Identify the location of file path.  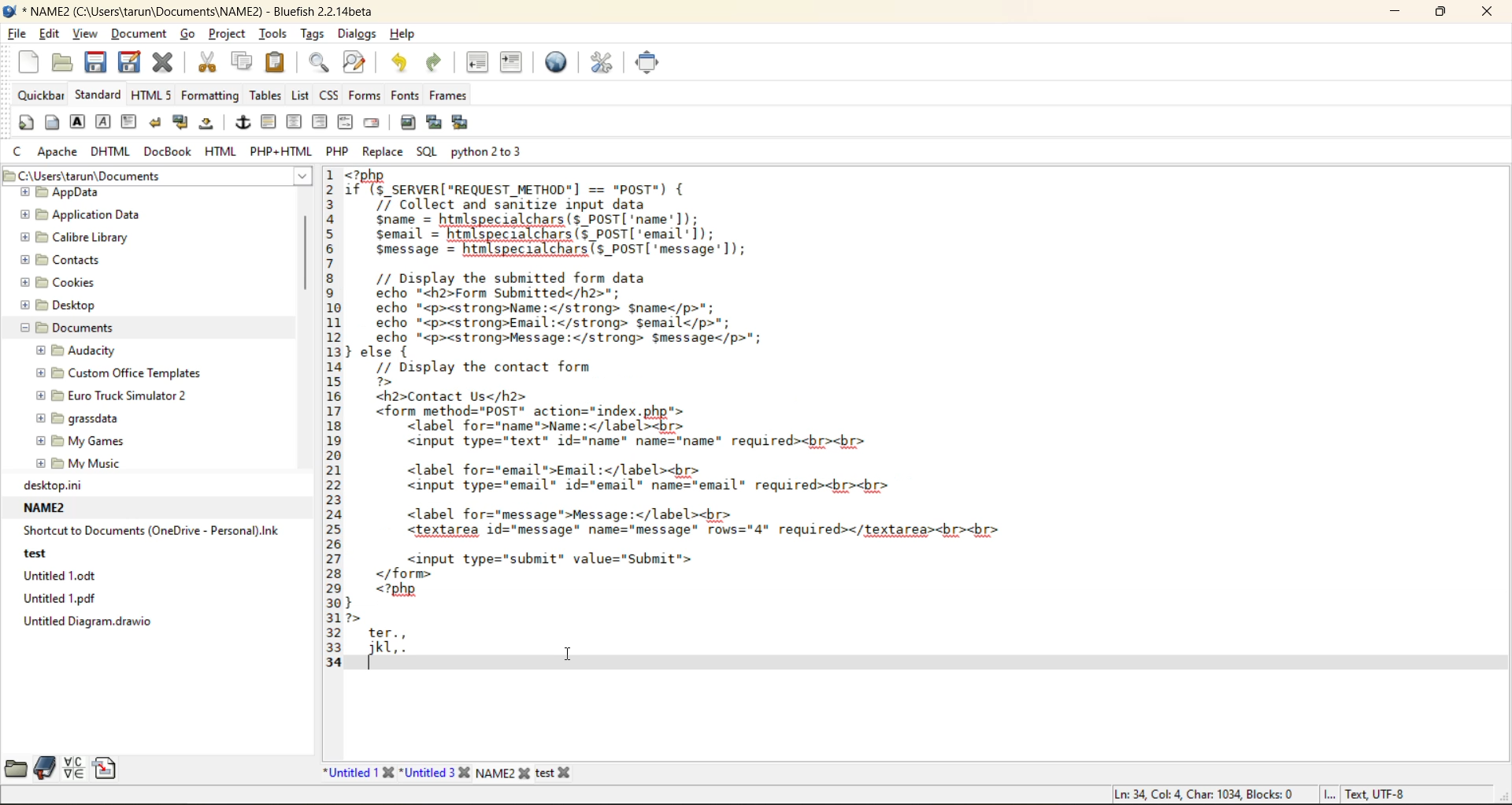
(157, 176).